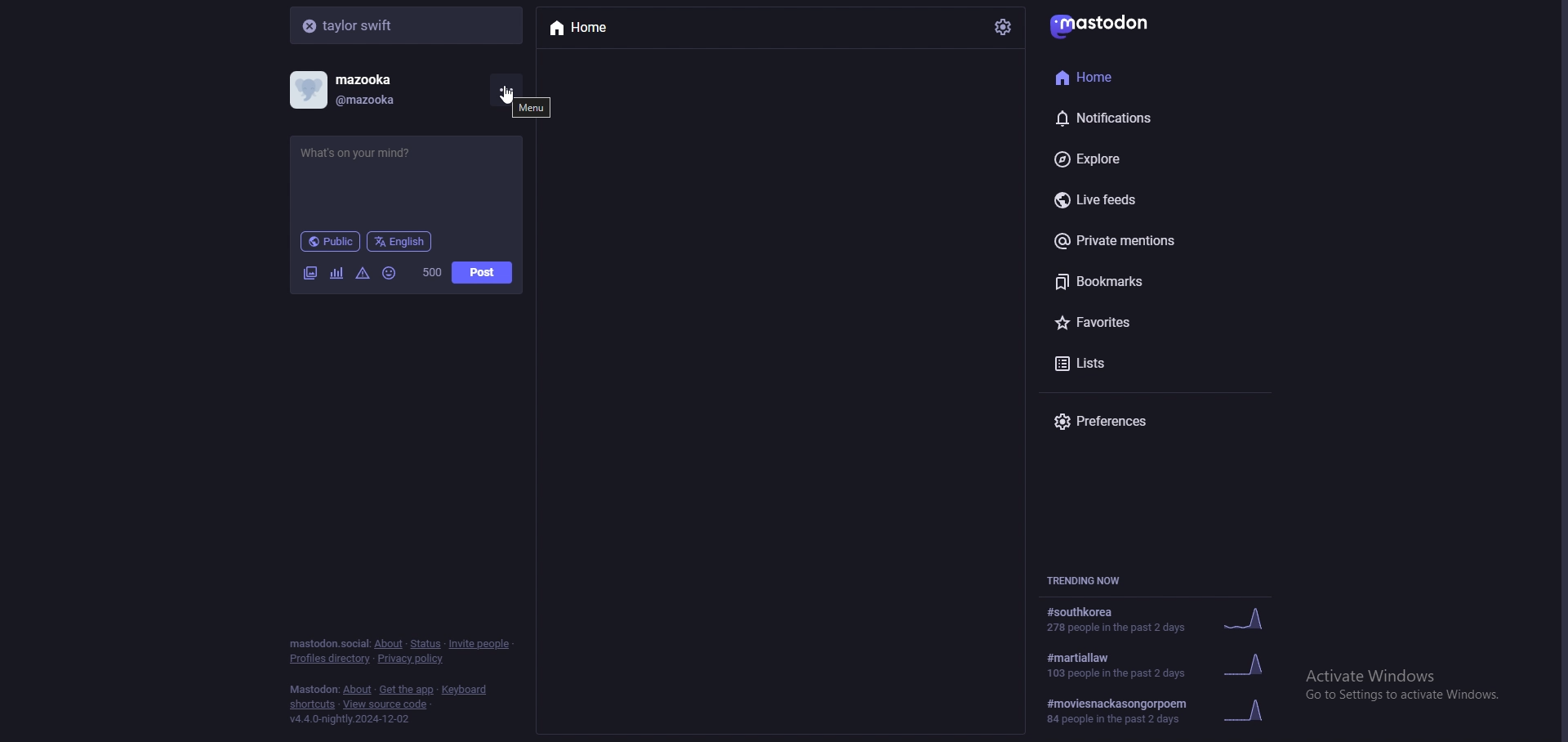 The width and height of the screenshot is (1568, 742). I want to click on word limit, so click(431, 273).